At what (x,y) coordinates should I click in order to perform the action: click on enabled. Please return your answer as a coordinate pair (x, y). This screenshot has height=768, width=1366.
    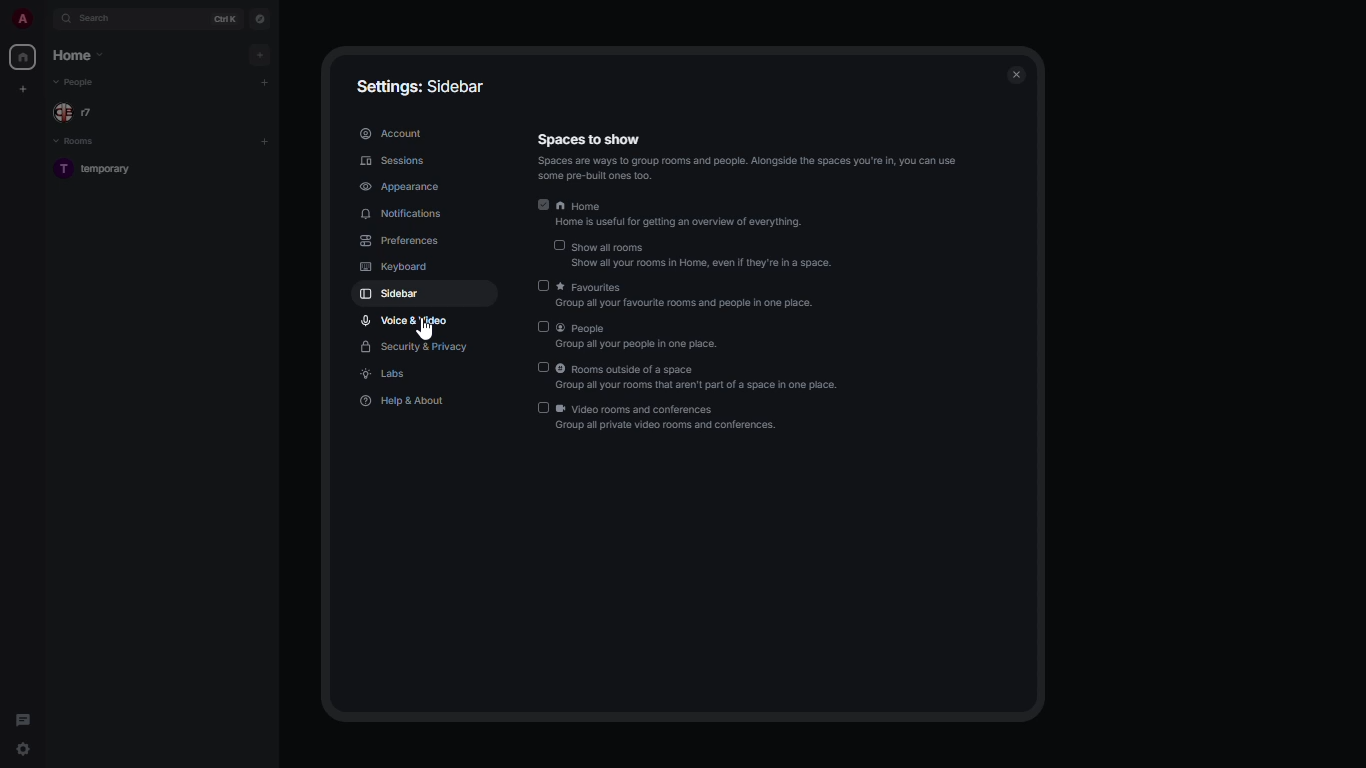
    Looking at the image, I should click on (542, 205).